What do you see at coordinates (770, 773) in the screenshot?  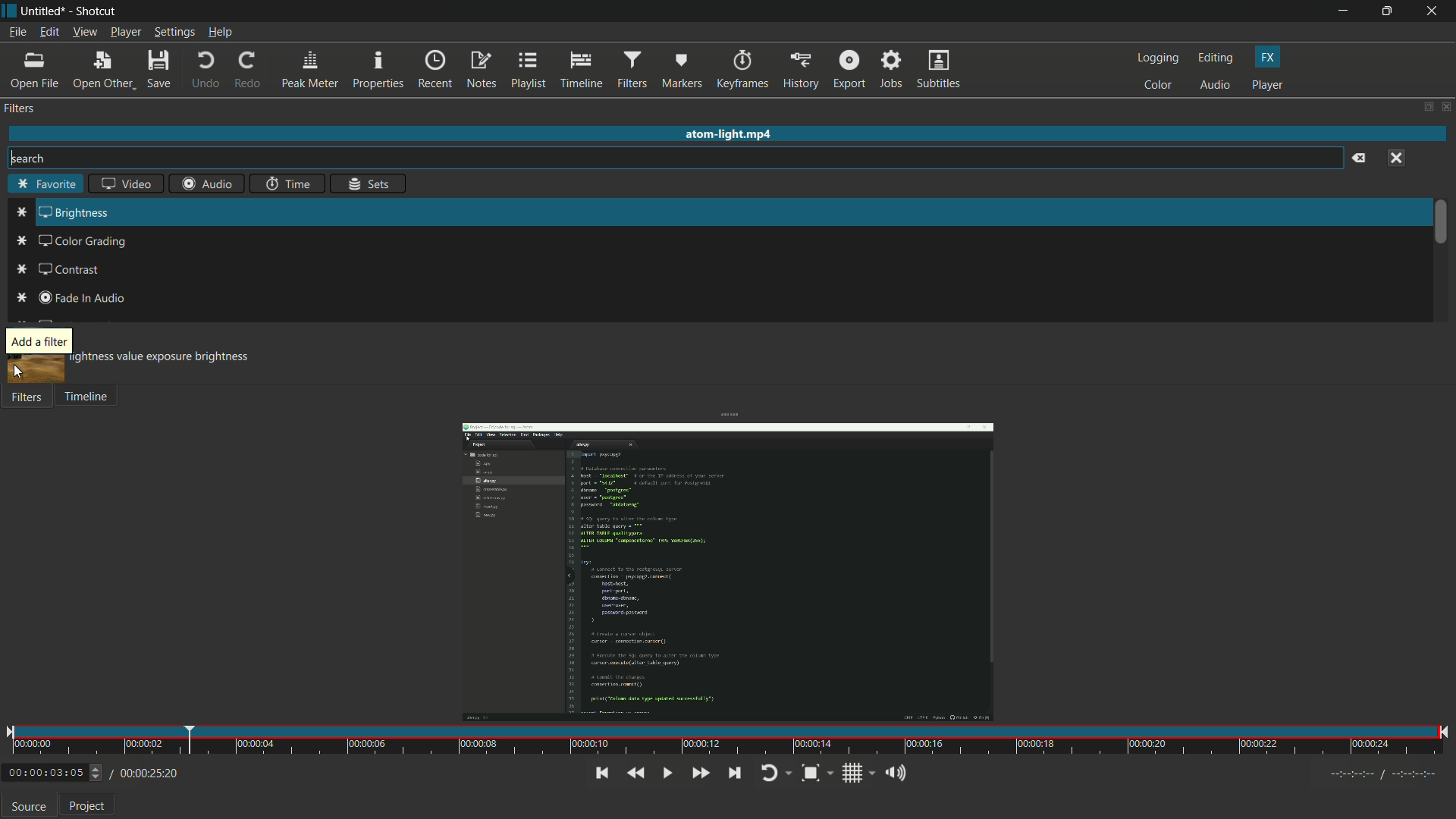 I see `toggle player looping` at bounding box center [770, 773].